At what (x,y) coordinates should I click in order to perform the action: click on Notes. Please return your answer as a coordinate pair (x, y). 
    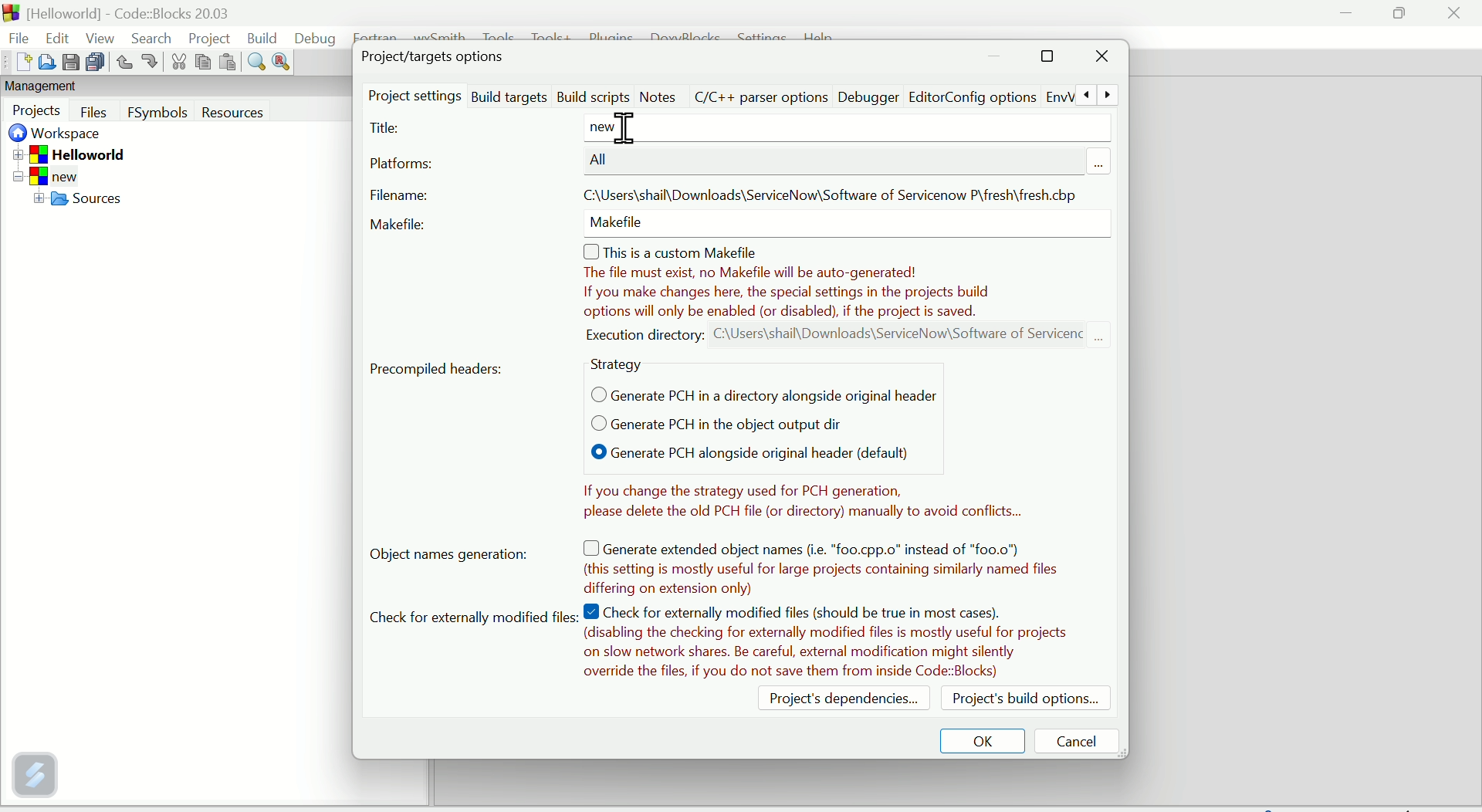
    Looking at the image, I should click on (658, 97).